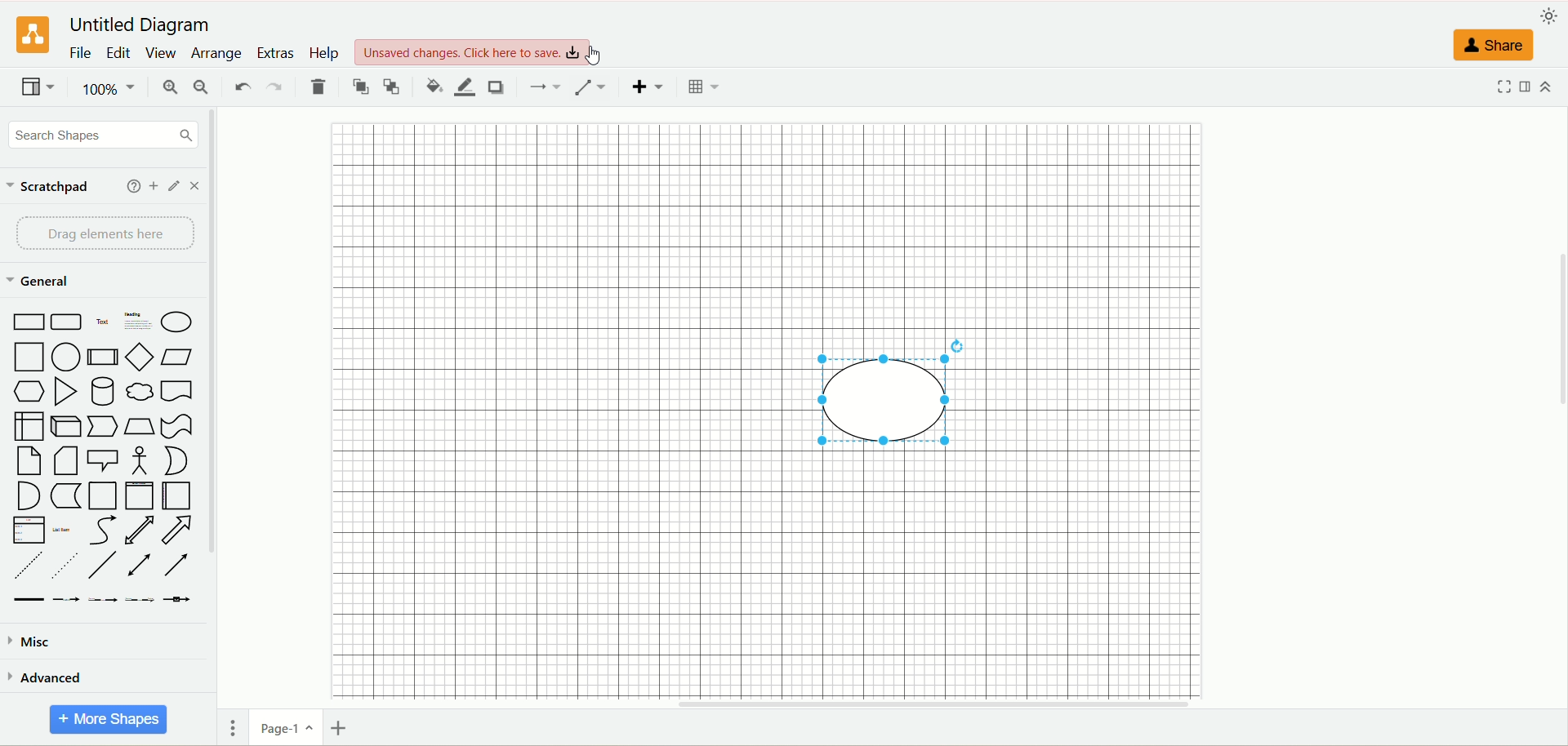 Image resolution: width=1568 pixels, height=746 pixels. What do you see at coordinates (101, 425) in the screenshot?
I see `step` at bounding box center [101, 425].